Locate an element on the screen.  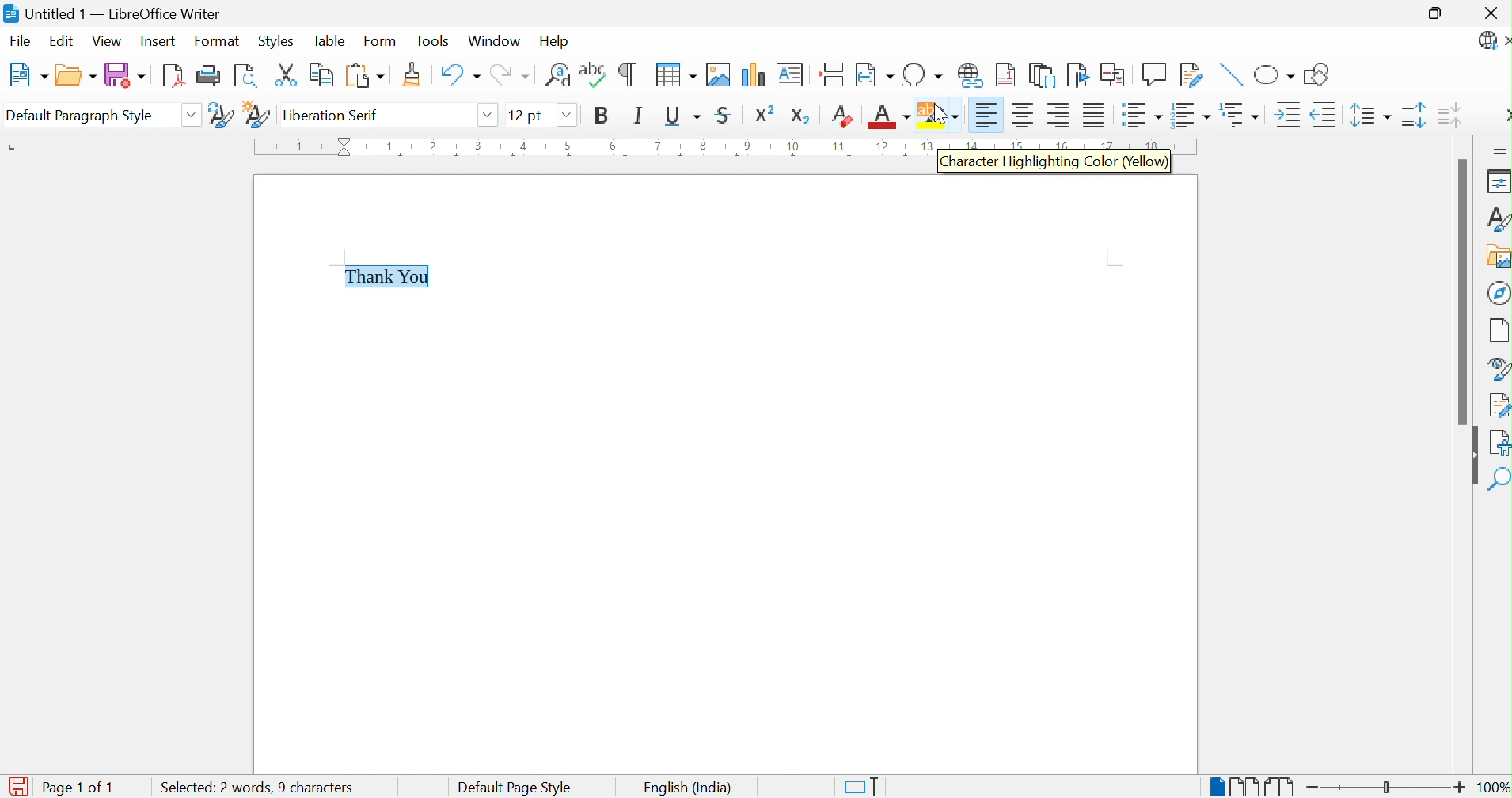
 is located at coordinates (508, 74).